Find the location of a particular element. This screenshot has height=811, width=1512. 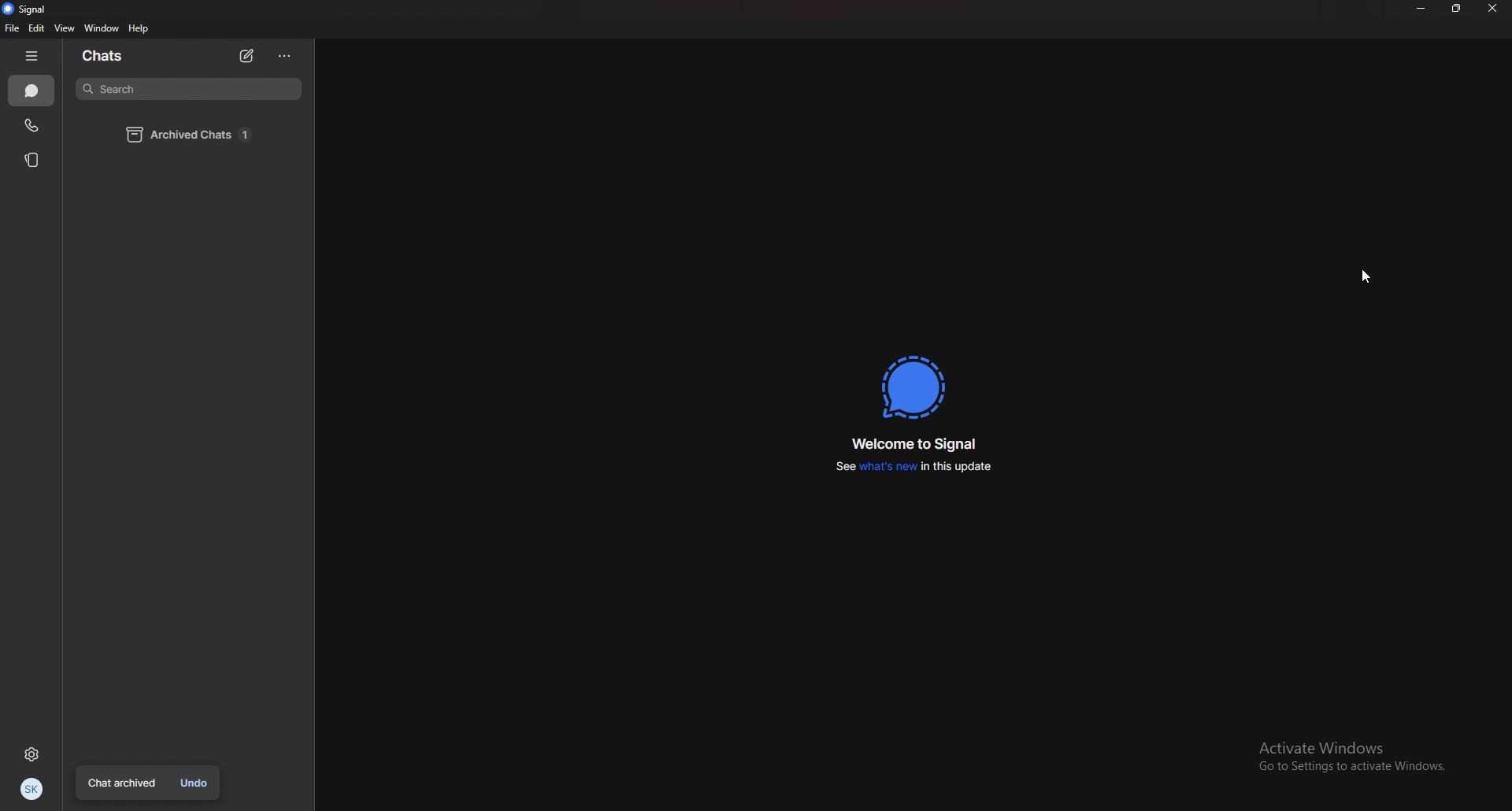

signal is located at coordinates (28, 10).